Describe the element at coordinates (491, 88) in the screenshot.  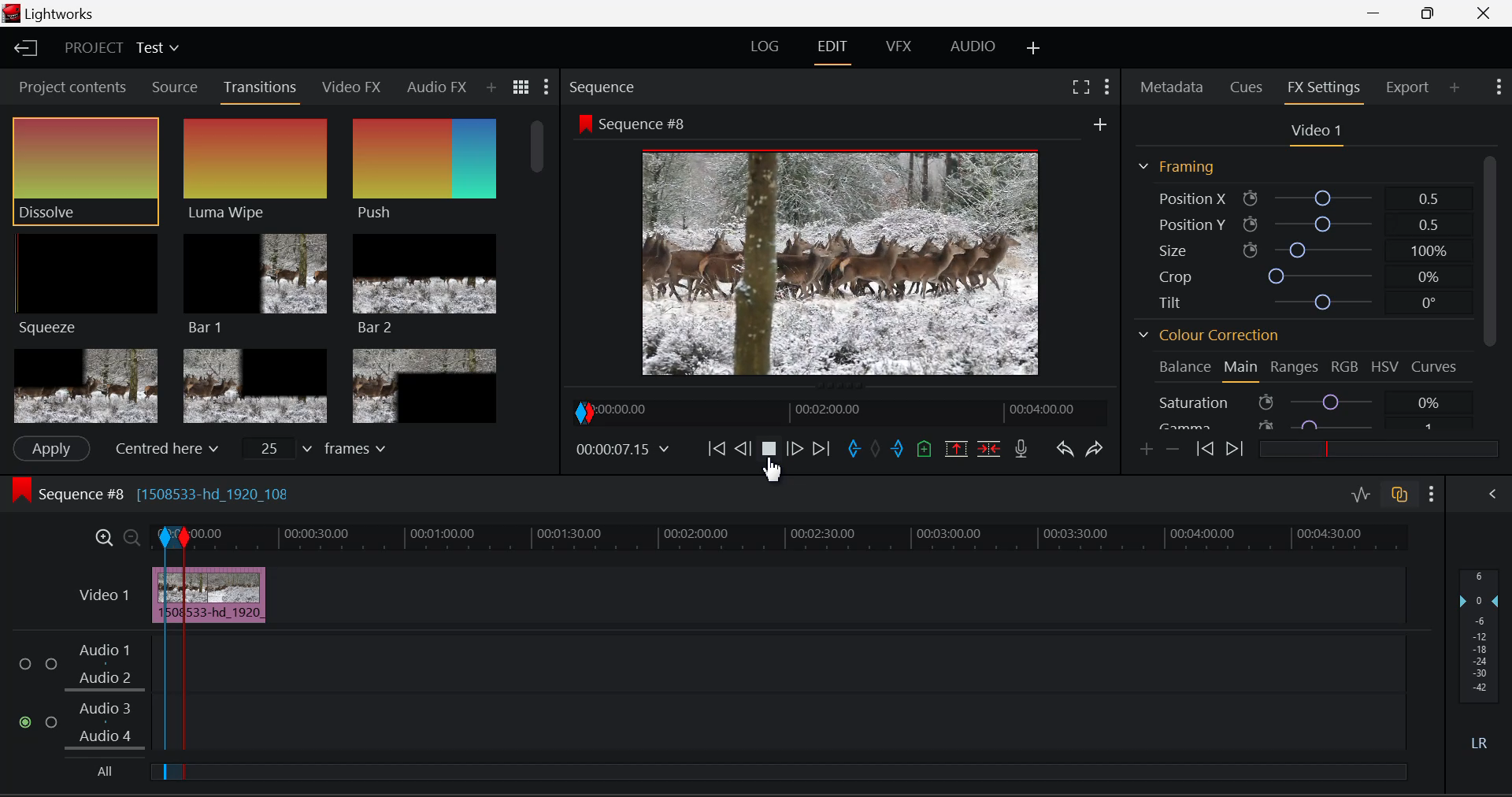
I see `Add Panel` at that location.